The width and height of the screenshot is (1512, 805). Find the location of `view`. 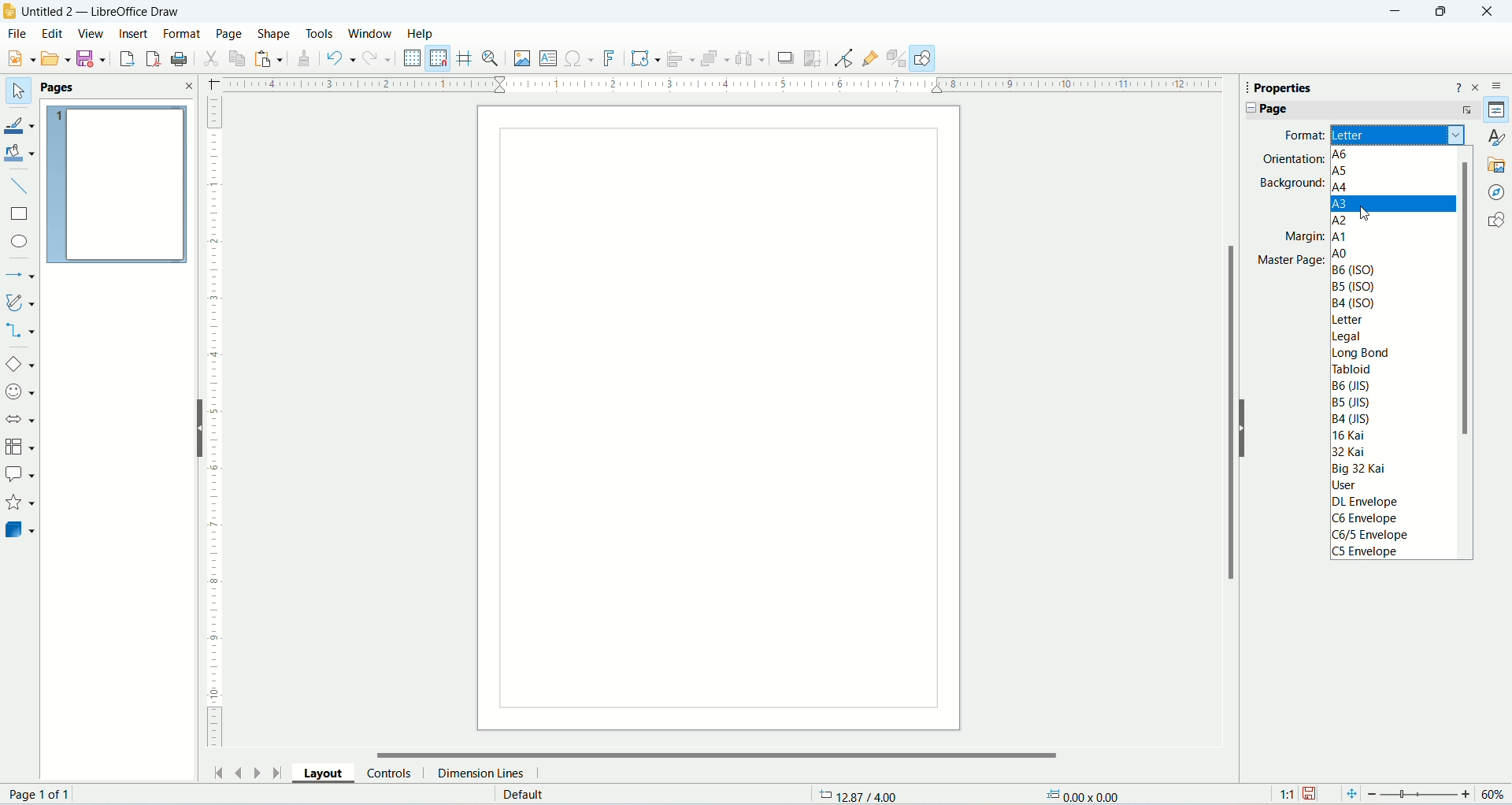

view is located at coordinates (91, 33).